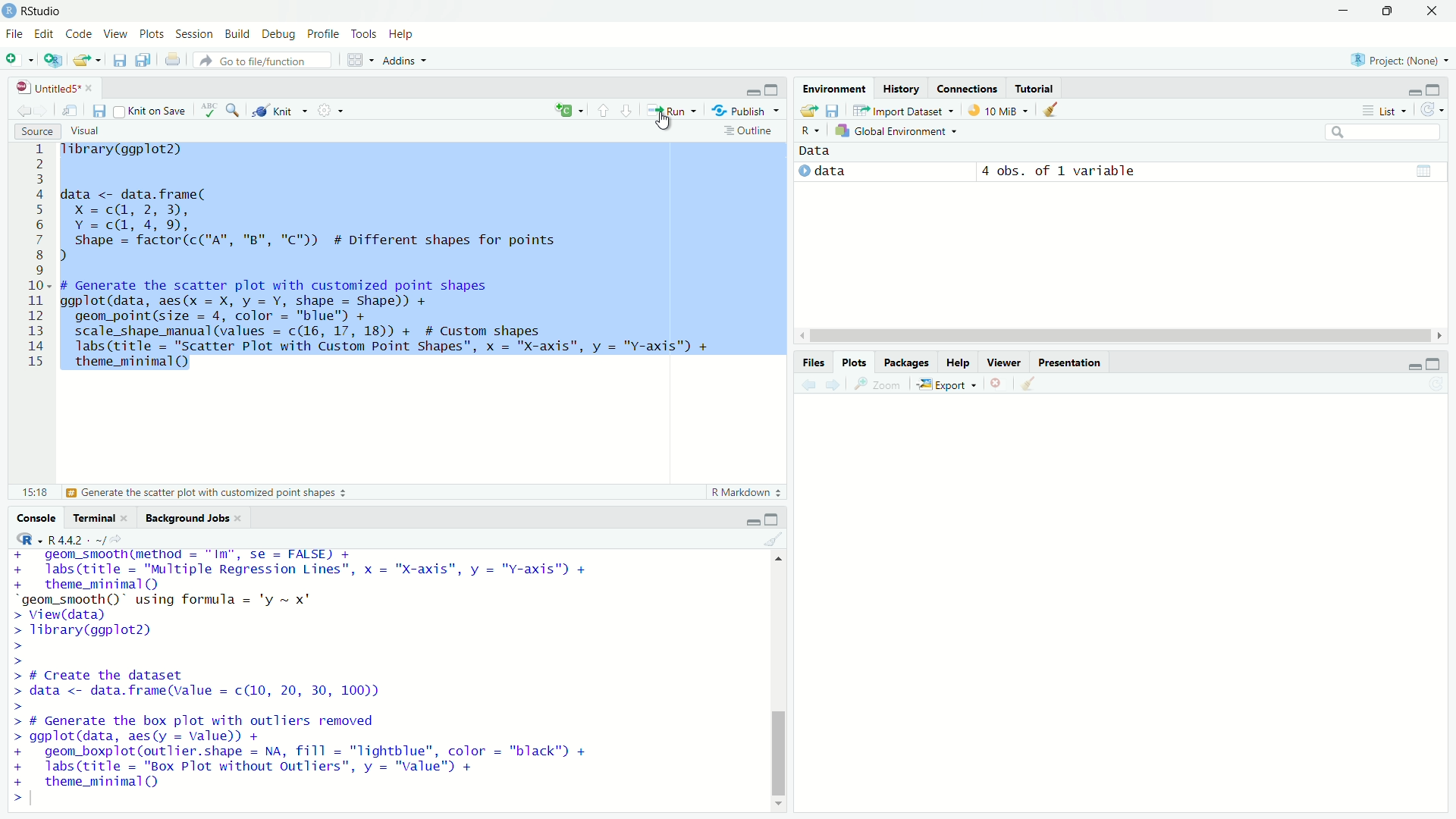  I want to click on Print the current file, so click(173, 59).